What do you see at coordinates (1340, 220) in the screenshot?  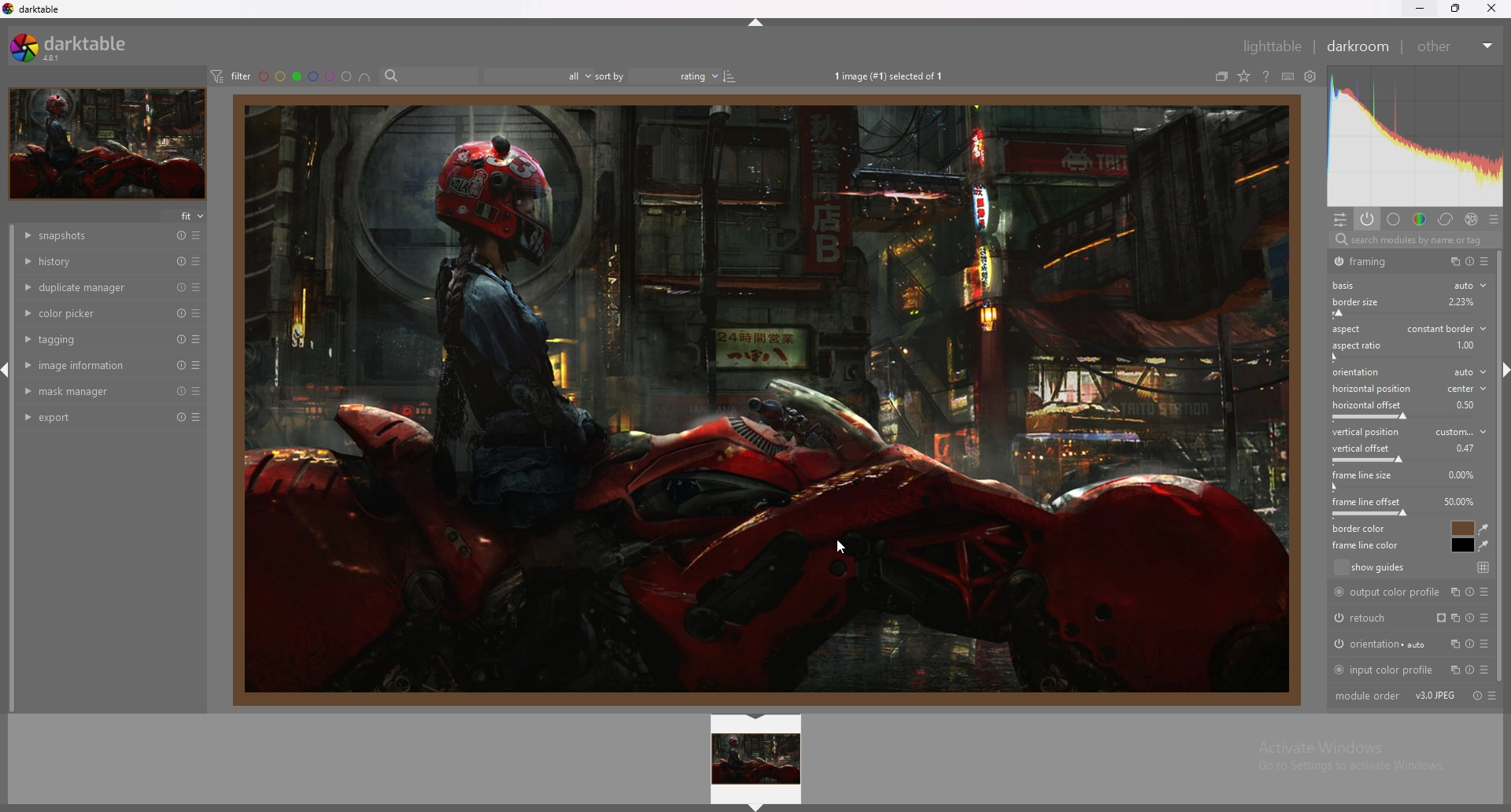 I see `quic access panel` at bounding box center [1340, 220].